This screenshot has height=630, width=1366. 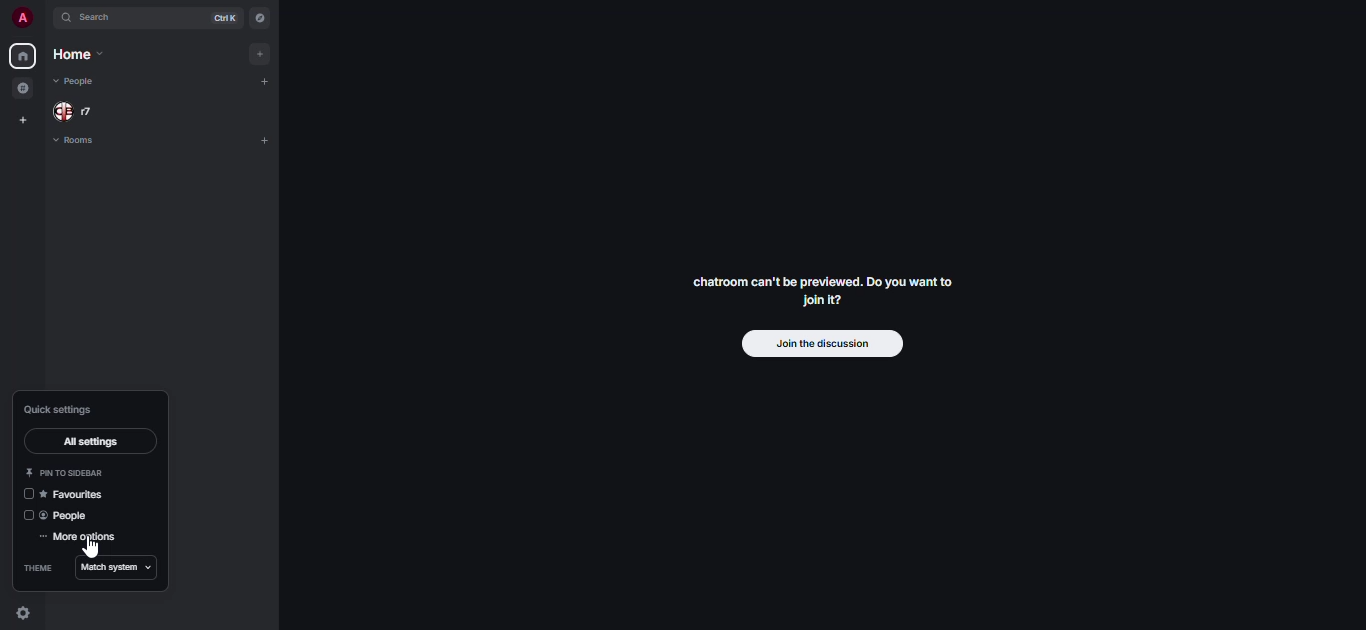 I want to click on all settings, so click(x=92, y=441).